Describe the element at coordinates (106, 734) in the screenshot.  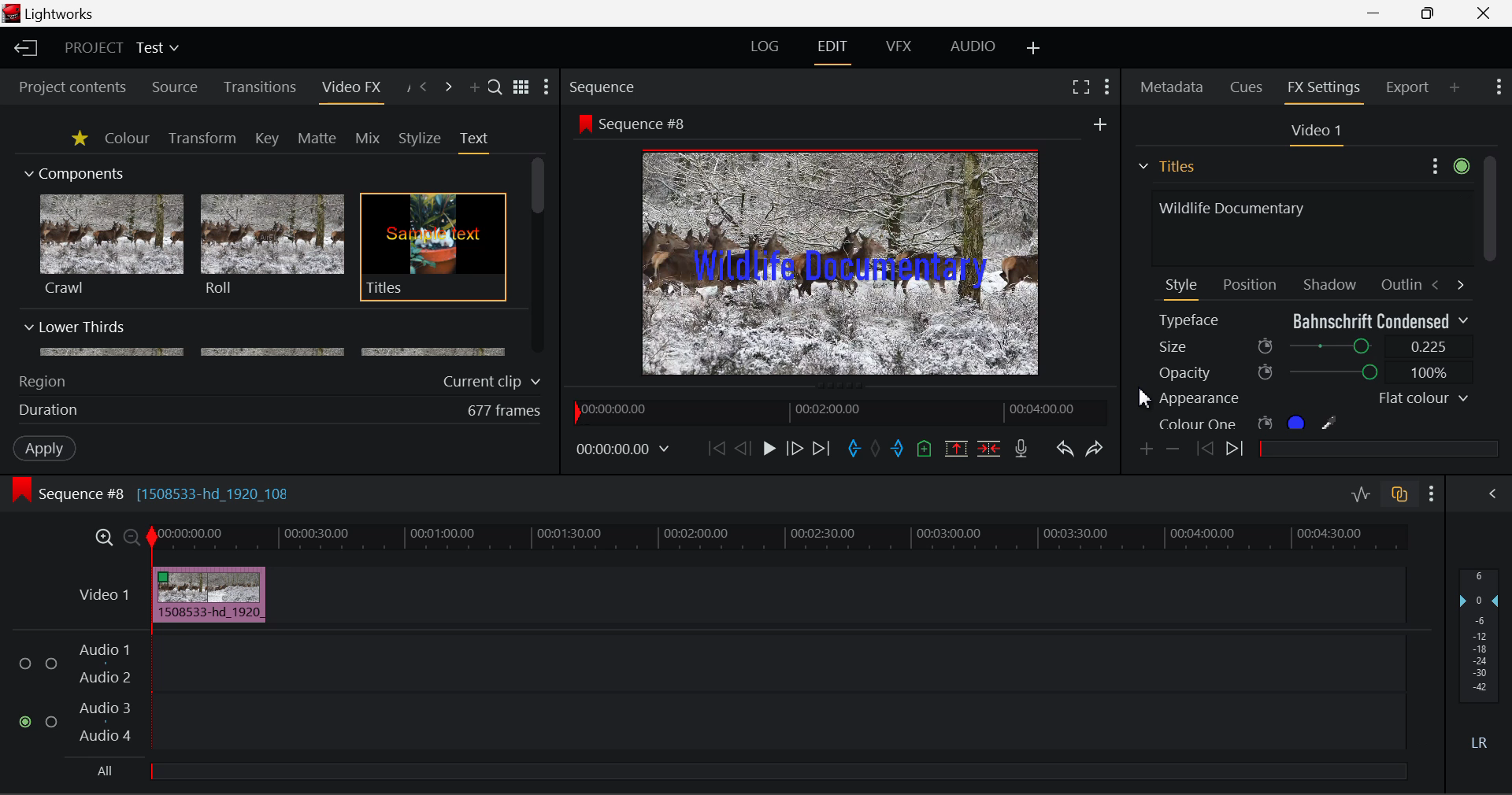
I see `Audio 4` at that location.